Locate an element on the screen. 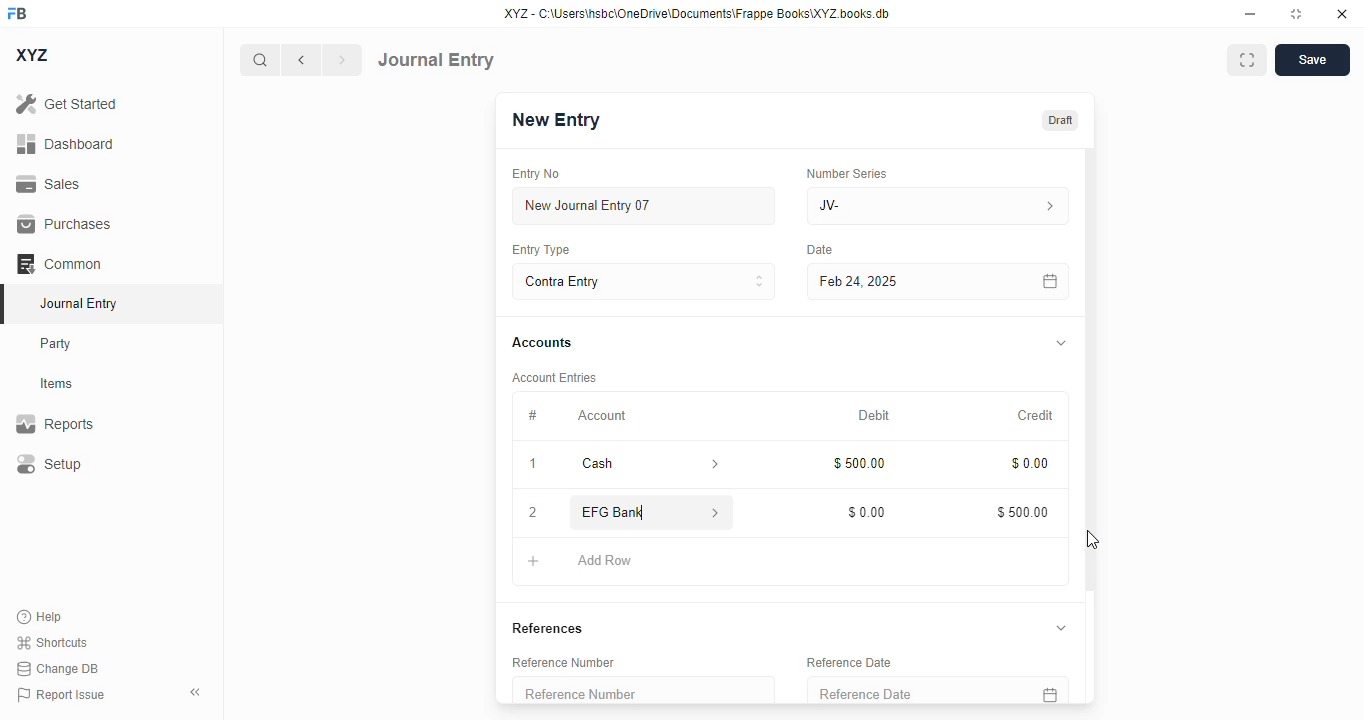 Image resolution: width=1364 pixels, height=720 pixels. account entries is located at coordinates (556, 377).